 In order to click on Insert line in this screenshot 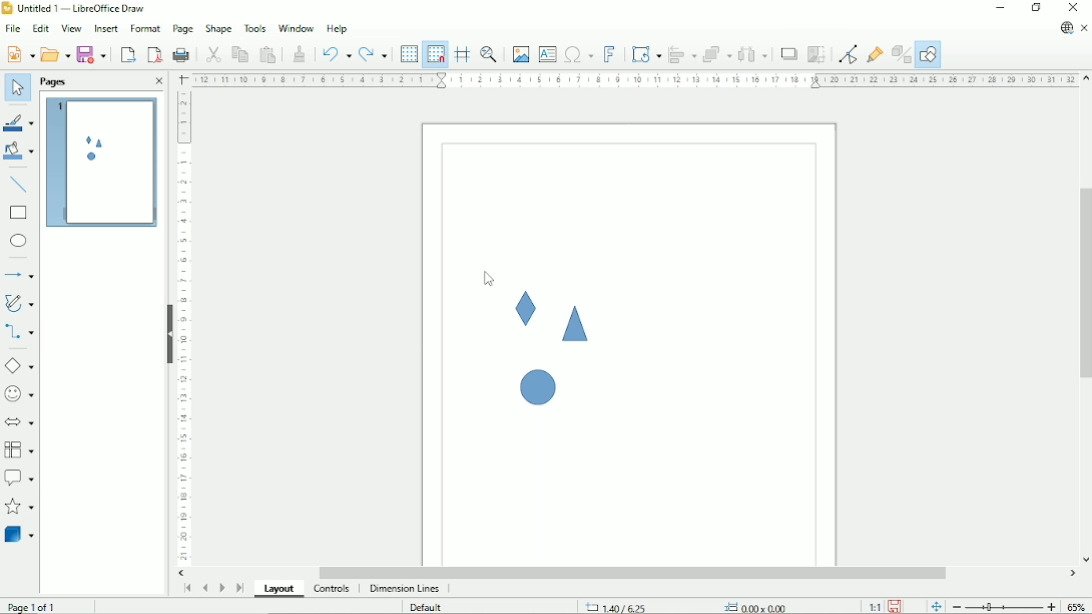, I will do `click(19, 184)`.